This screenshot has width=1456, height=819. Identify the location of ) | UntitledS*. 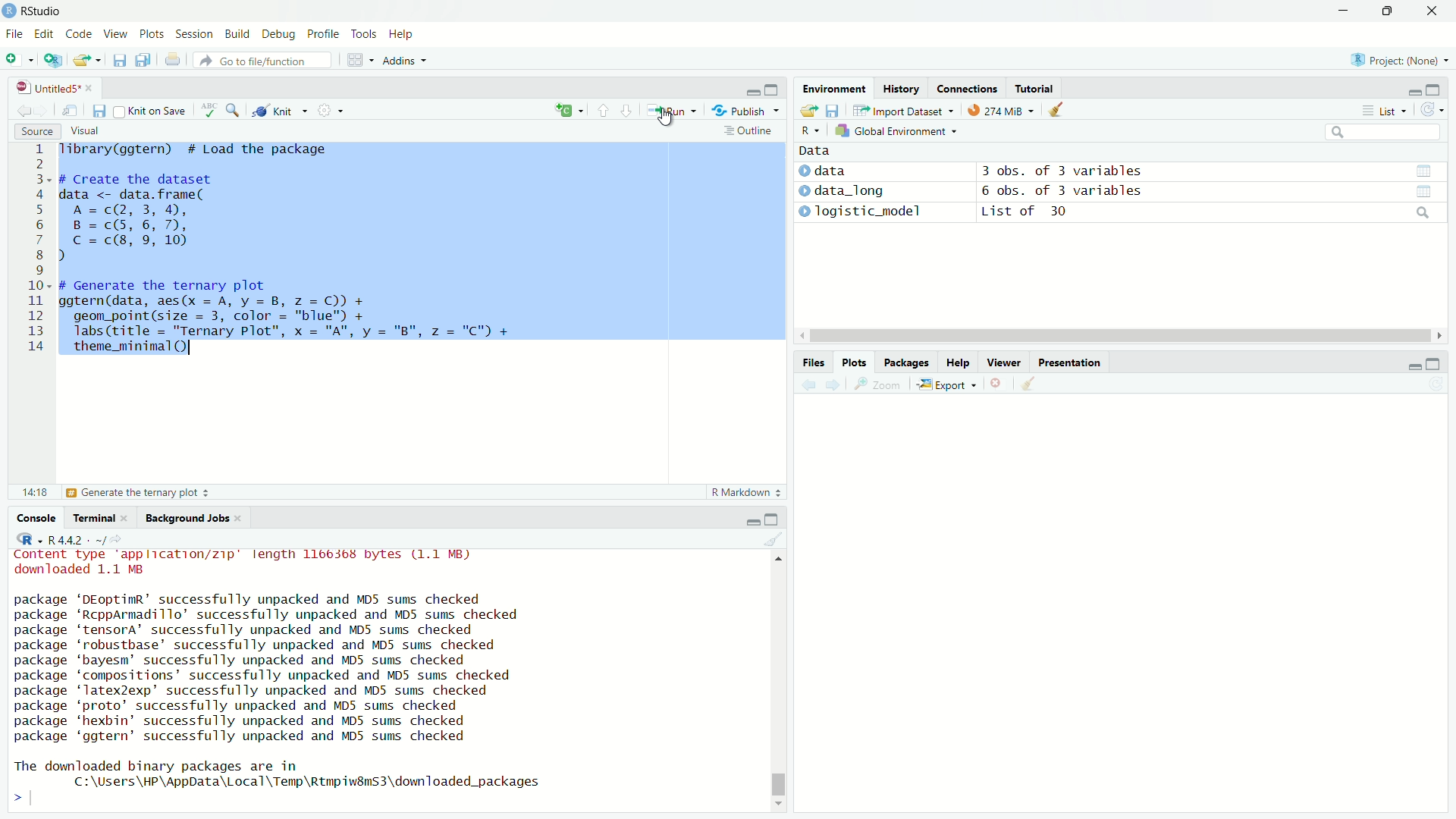
(47, 86).